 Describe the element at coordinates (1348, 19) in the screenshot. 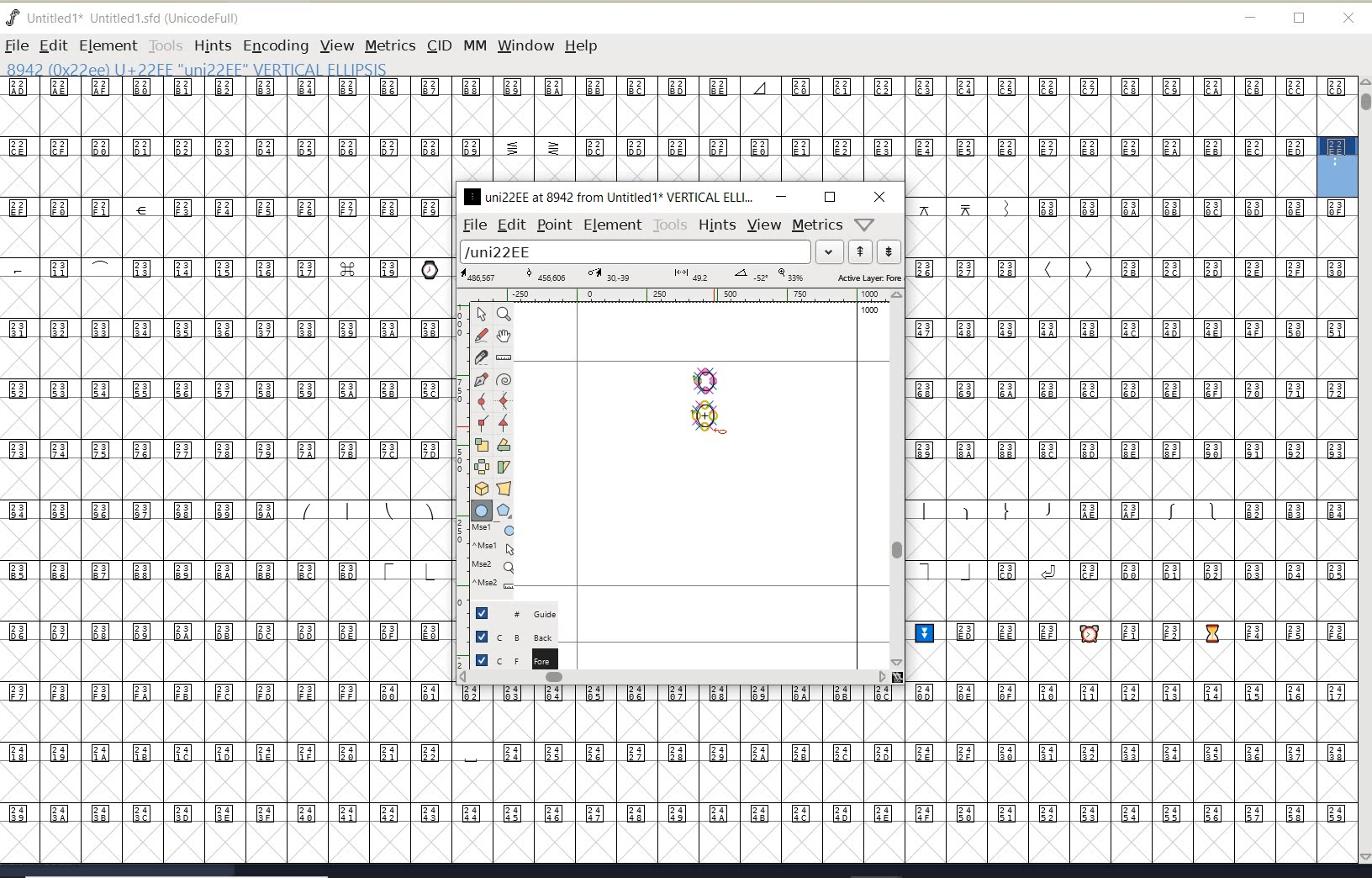

I see `close` at that location.